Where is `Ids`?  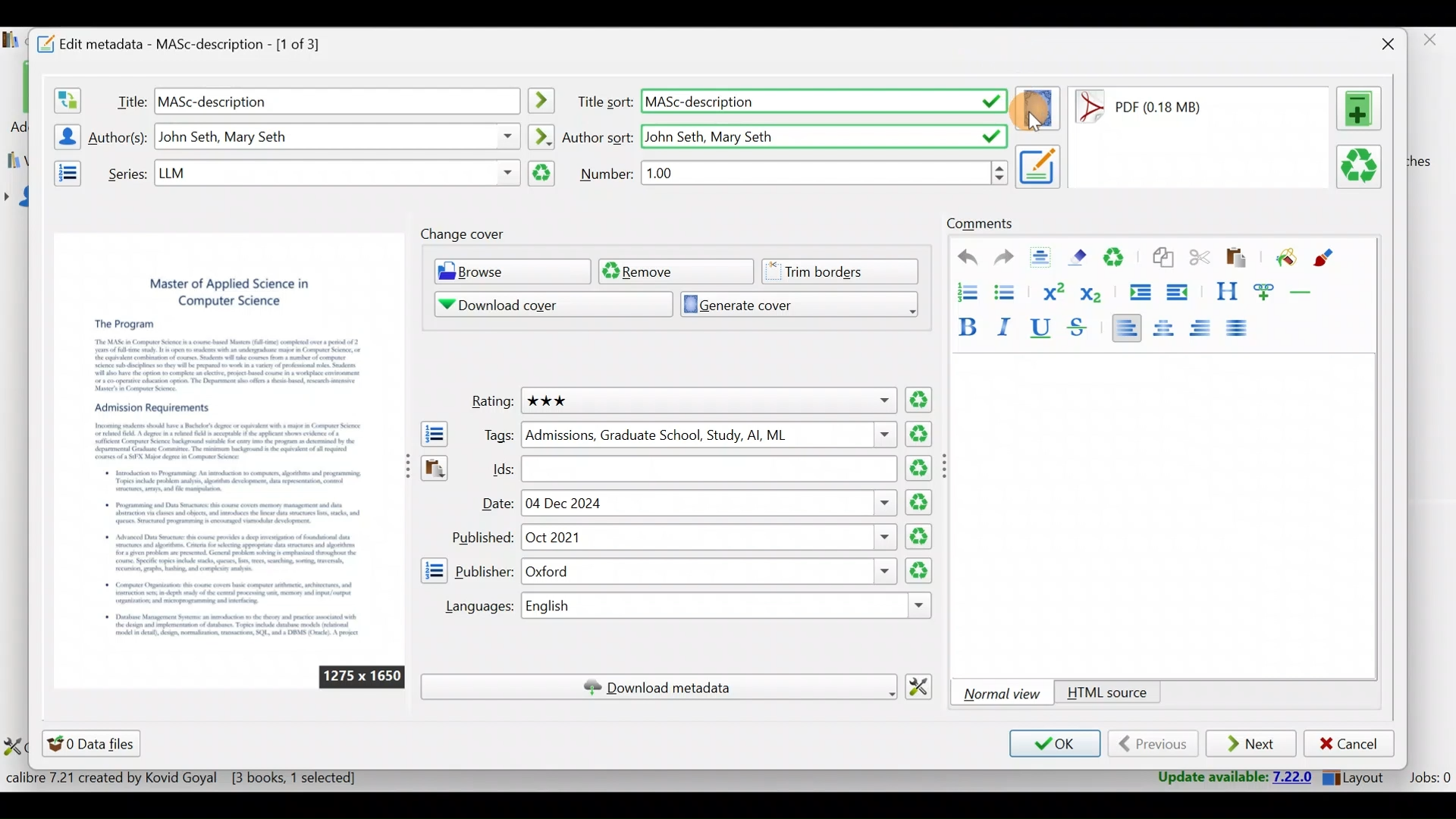
Ids is located at coordinates (494, 469).